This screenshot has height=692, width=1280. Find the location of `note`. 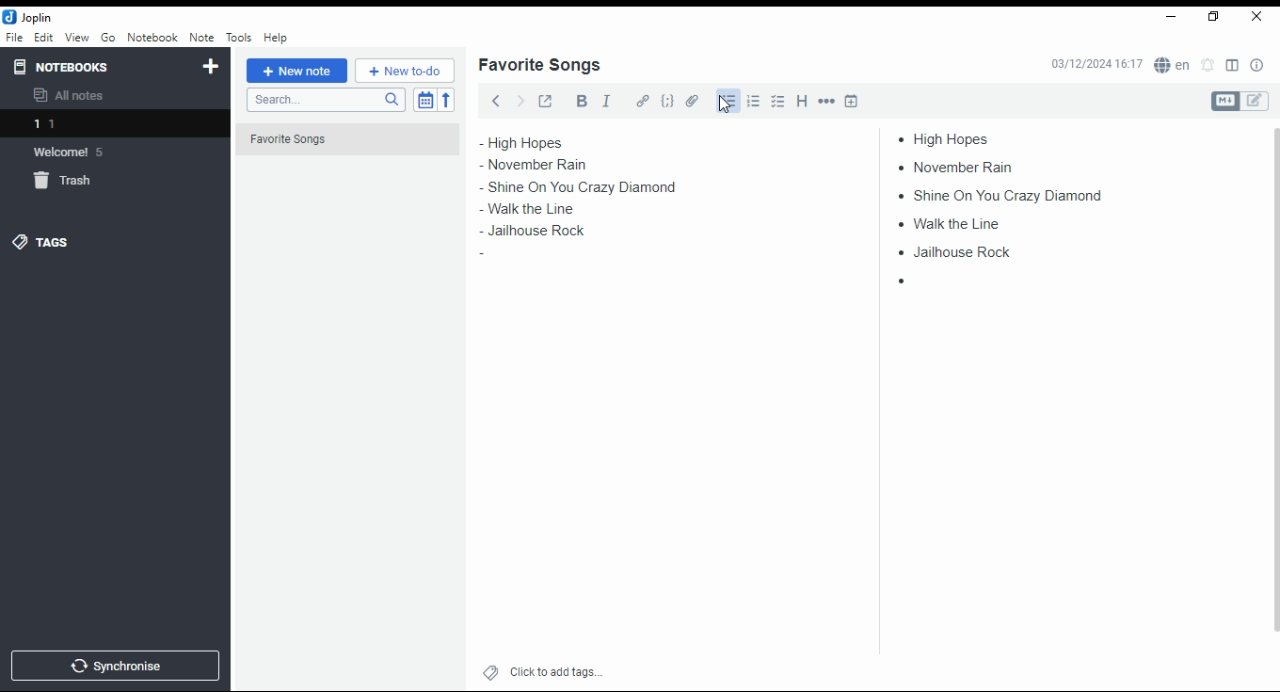

note is located at coordinates (201, 37).